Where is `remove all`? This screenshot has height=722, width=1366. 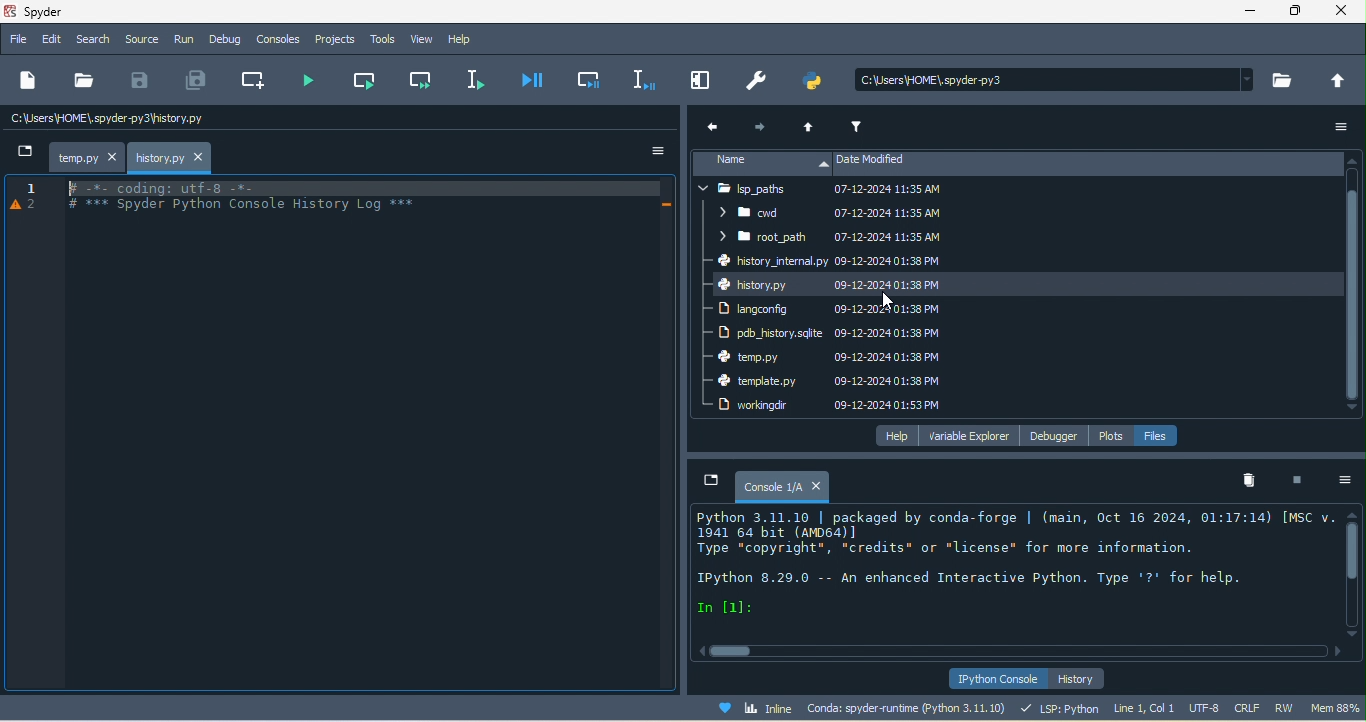 remove all is located at coordinates (1252, 481).